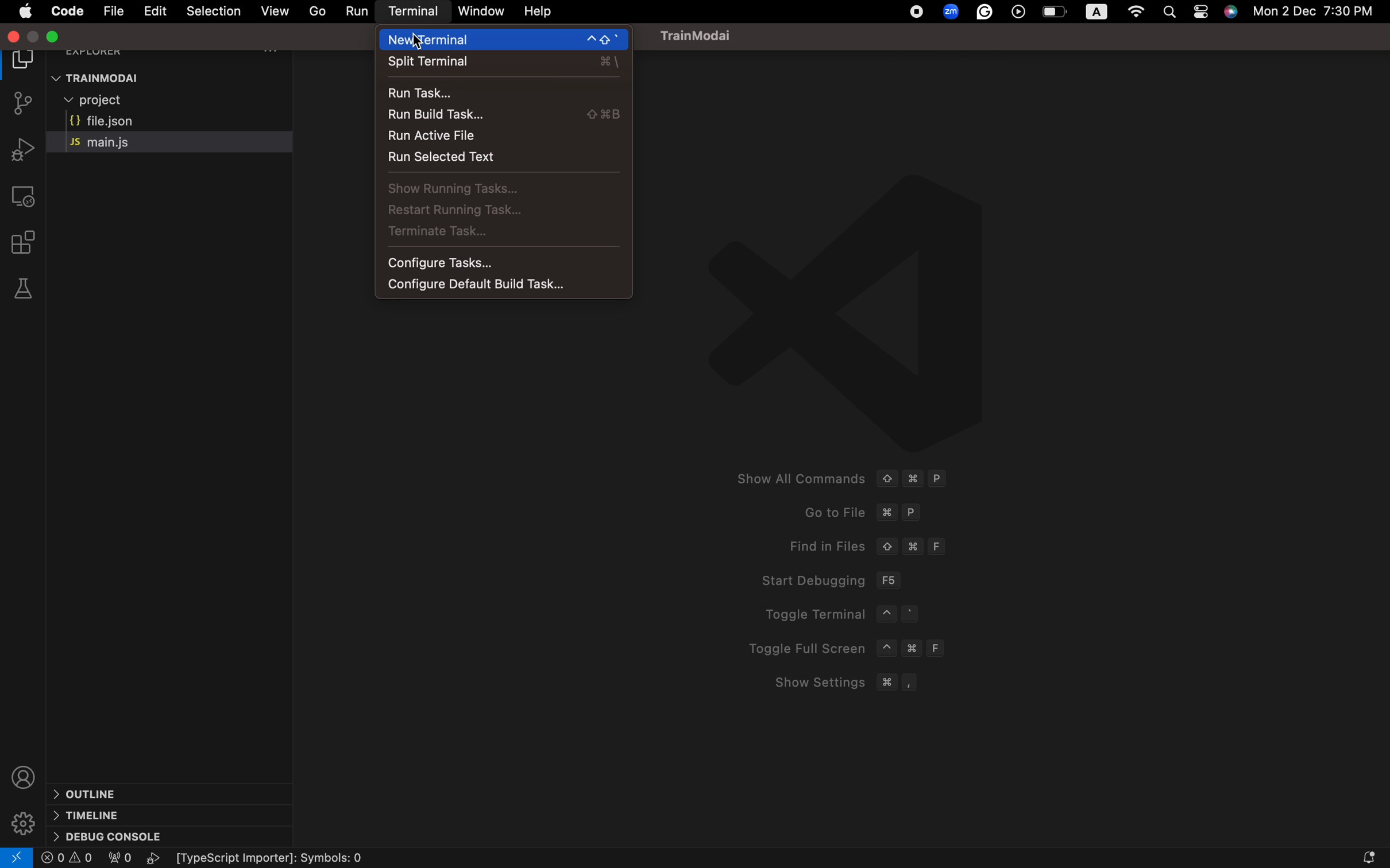 The image size is (1390, 868). I want to click on split terminal, so click(503, 64).